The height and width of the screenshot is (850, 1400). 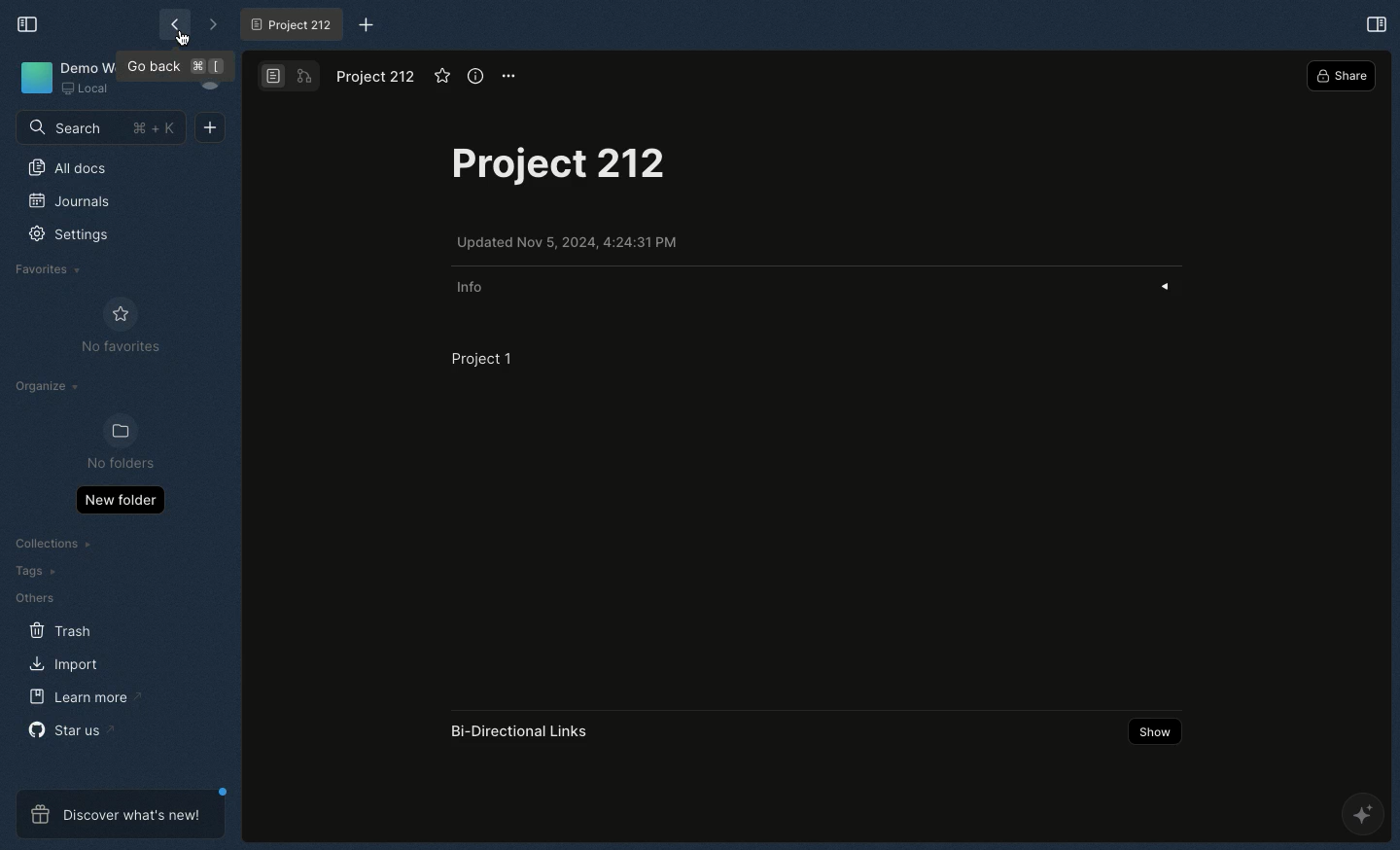 What do you see at coordinates (51, 385) in the screenshot?
I see `Organize` at bounding box center [51, 385].